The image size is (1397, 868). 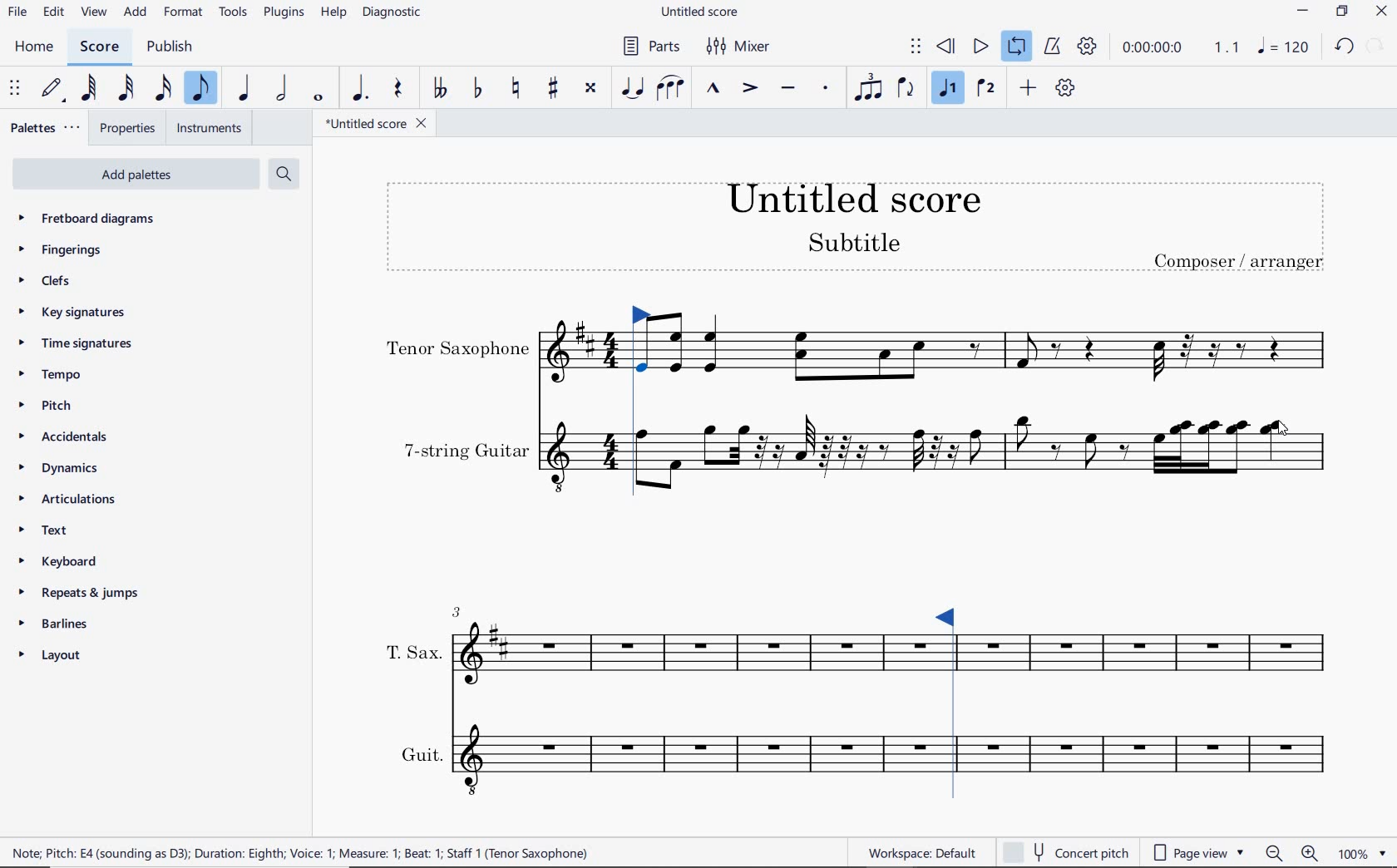 What do you see at coordinates (140, 175) in the screenshot?
I see `ADD PALETTES` at bounding box center [140, 175].